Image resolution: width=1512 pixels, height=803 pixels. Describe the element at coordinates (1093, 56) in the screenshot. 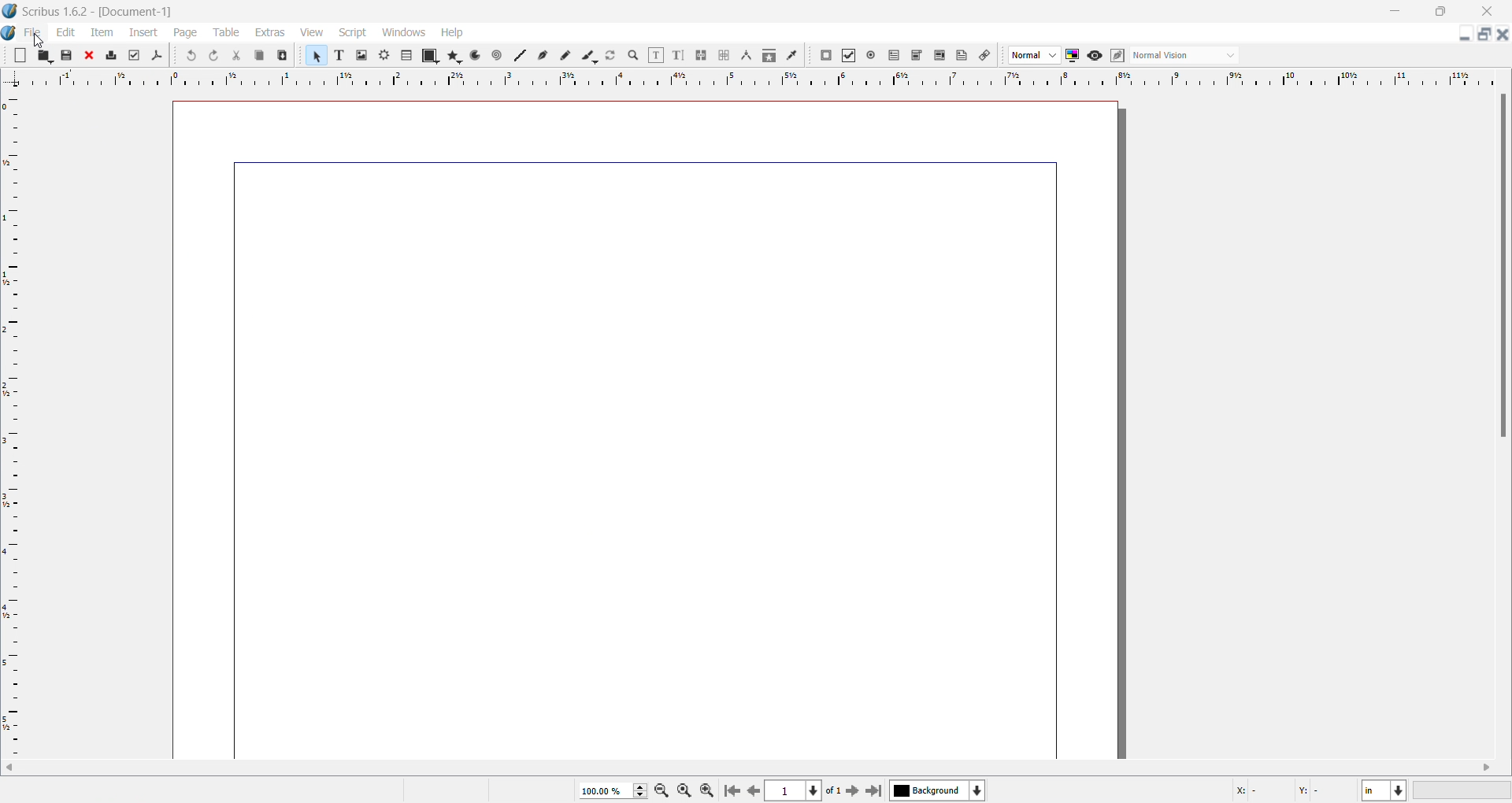

I see `icon` at that location.